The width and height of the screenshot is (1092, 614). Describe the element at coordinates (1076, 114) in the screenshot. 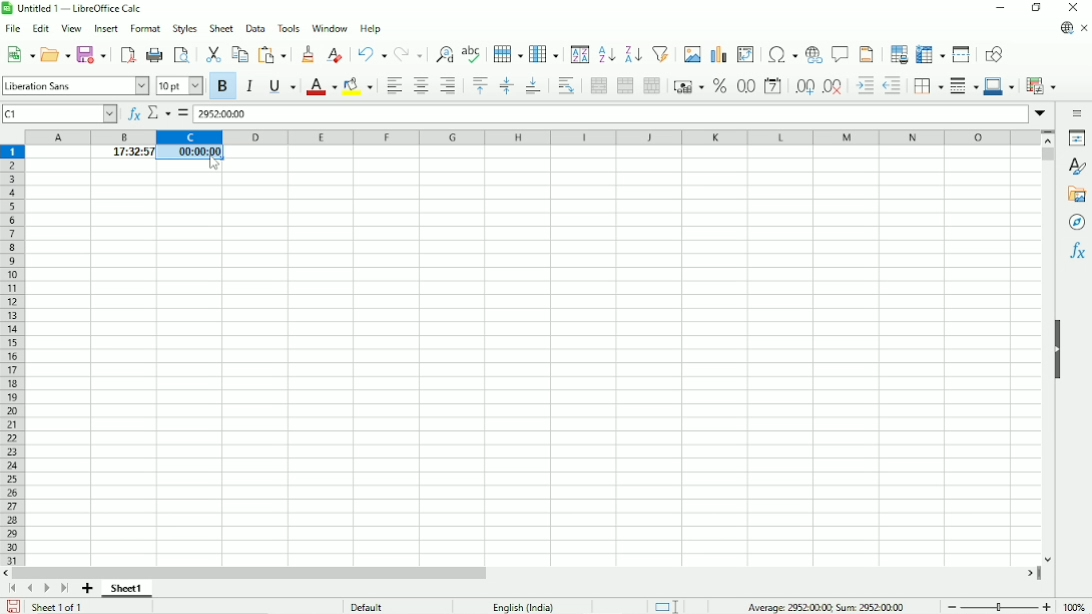

I see `Sidebar settings` at that location.